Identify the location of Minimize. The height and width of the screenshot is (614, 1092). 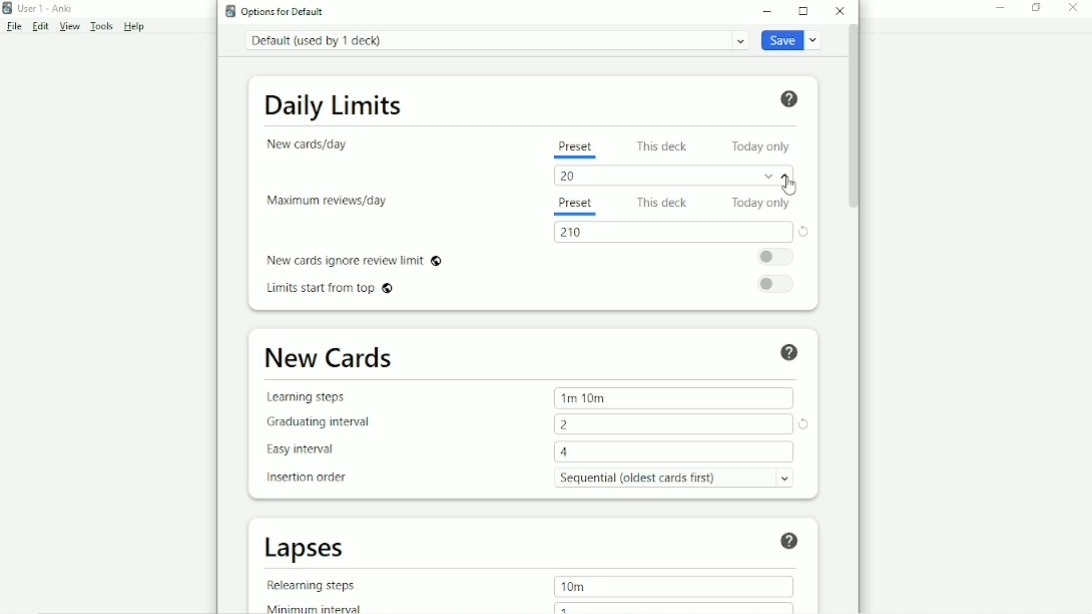
(767, 11).